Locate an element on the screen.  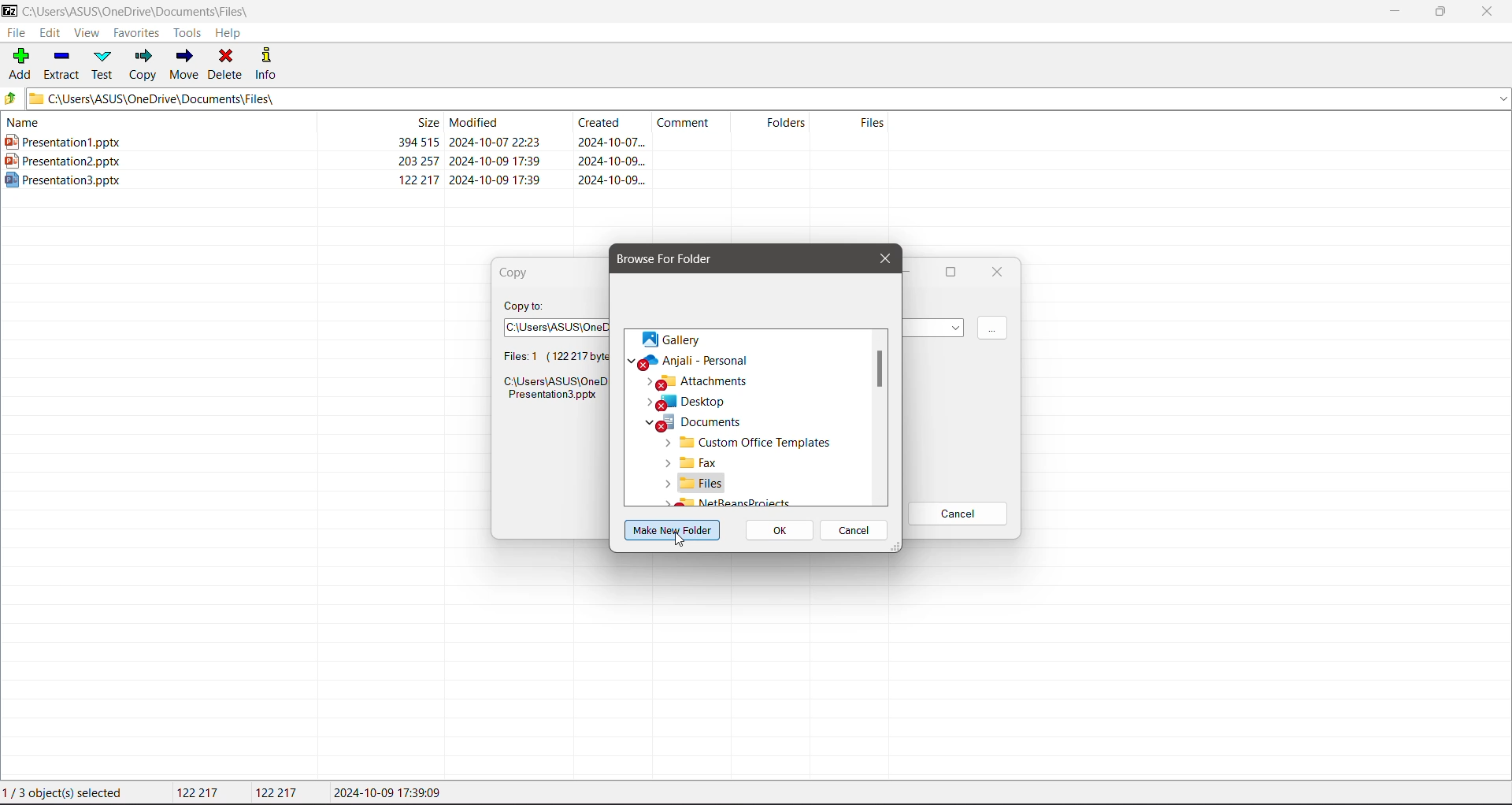
Copy To is located at coordinates (526, 305).